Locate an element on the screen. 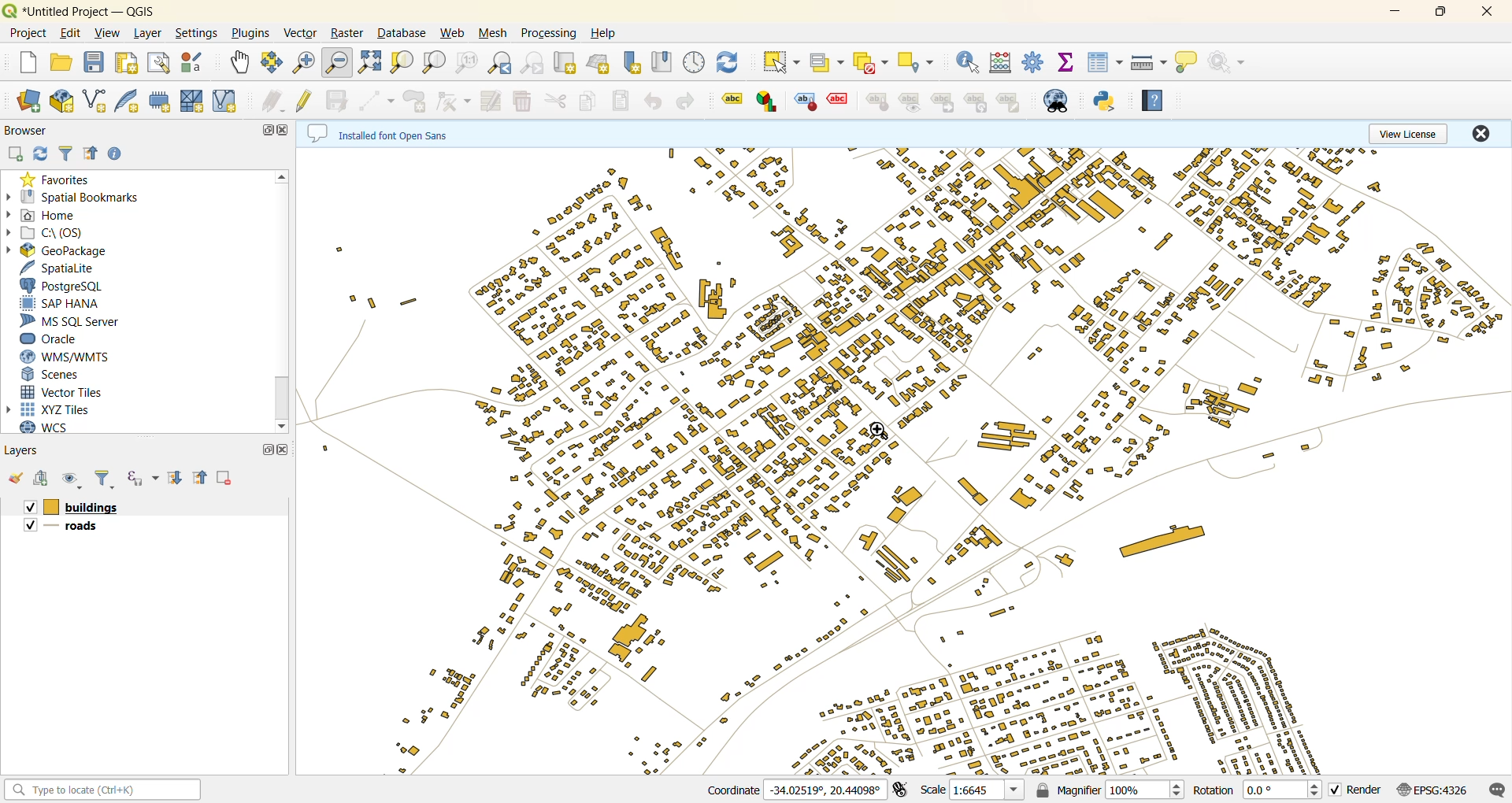 Image resolution: width=1512 pixels, height=803 pixels. log messages is located at coordinates (1497, 790).